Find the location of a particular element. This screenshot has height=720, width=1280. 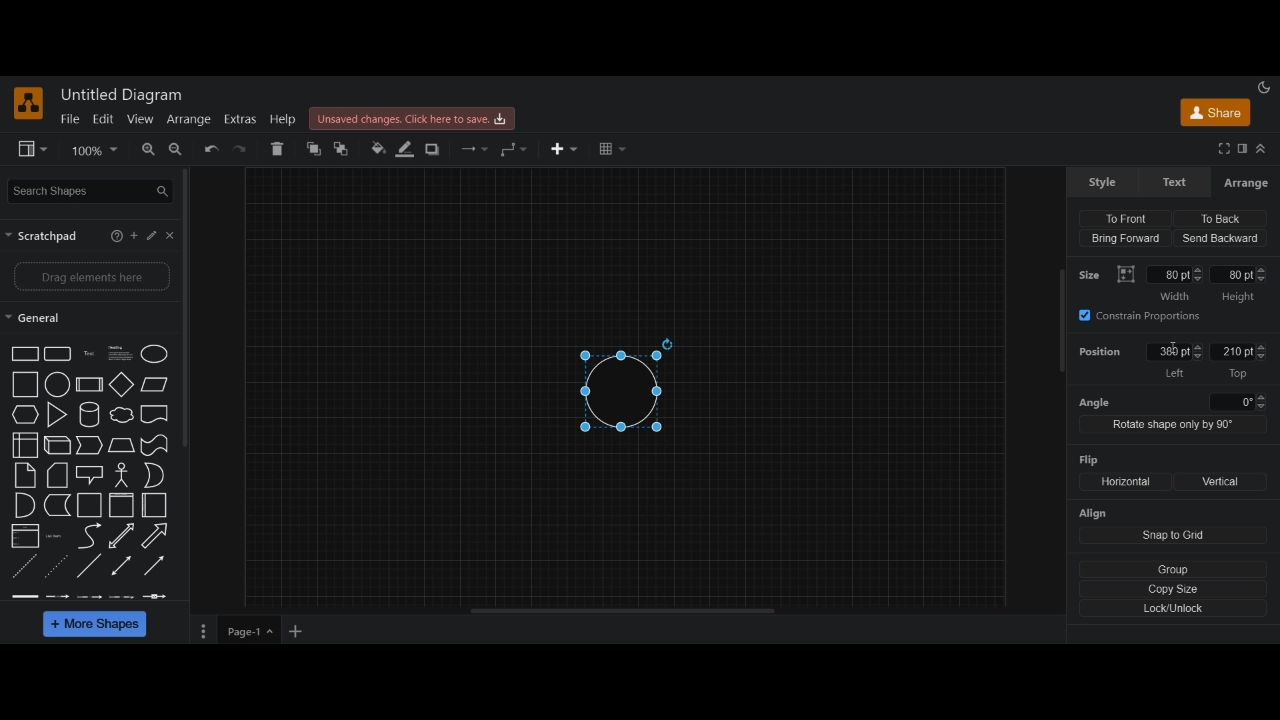

height is located at coordinates (1240, 285).